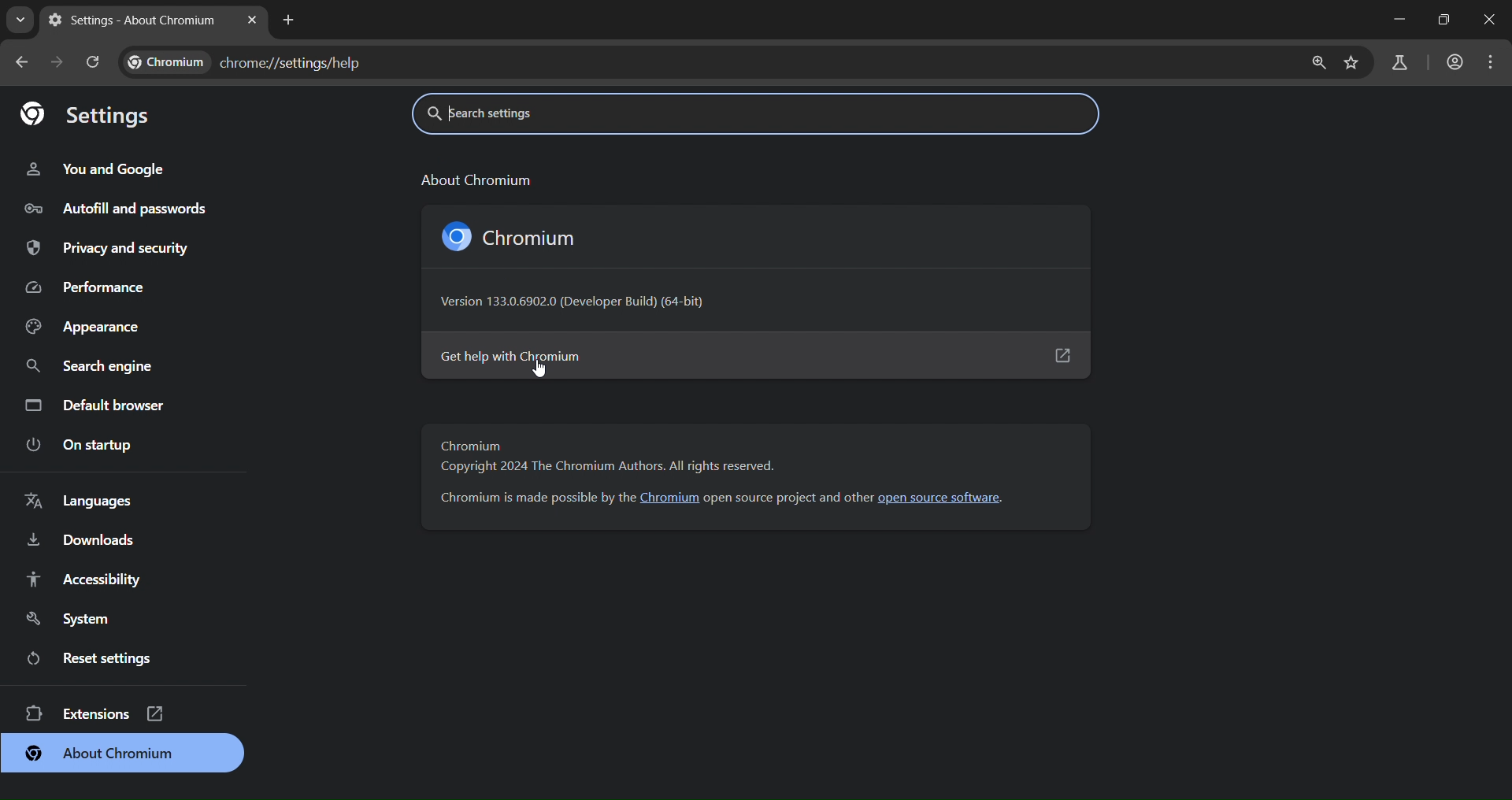 The height and width of the screenshot is (800, 1512). I want to click on open source project deatail, so click(788, 497).